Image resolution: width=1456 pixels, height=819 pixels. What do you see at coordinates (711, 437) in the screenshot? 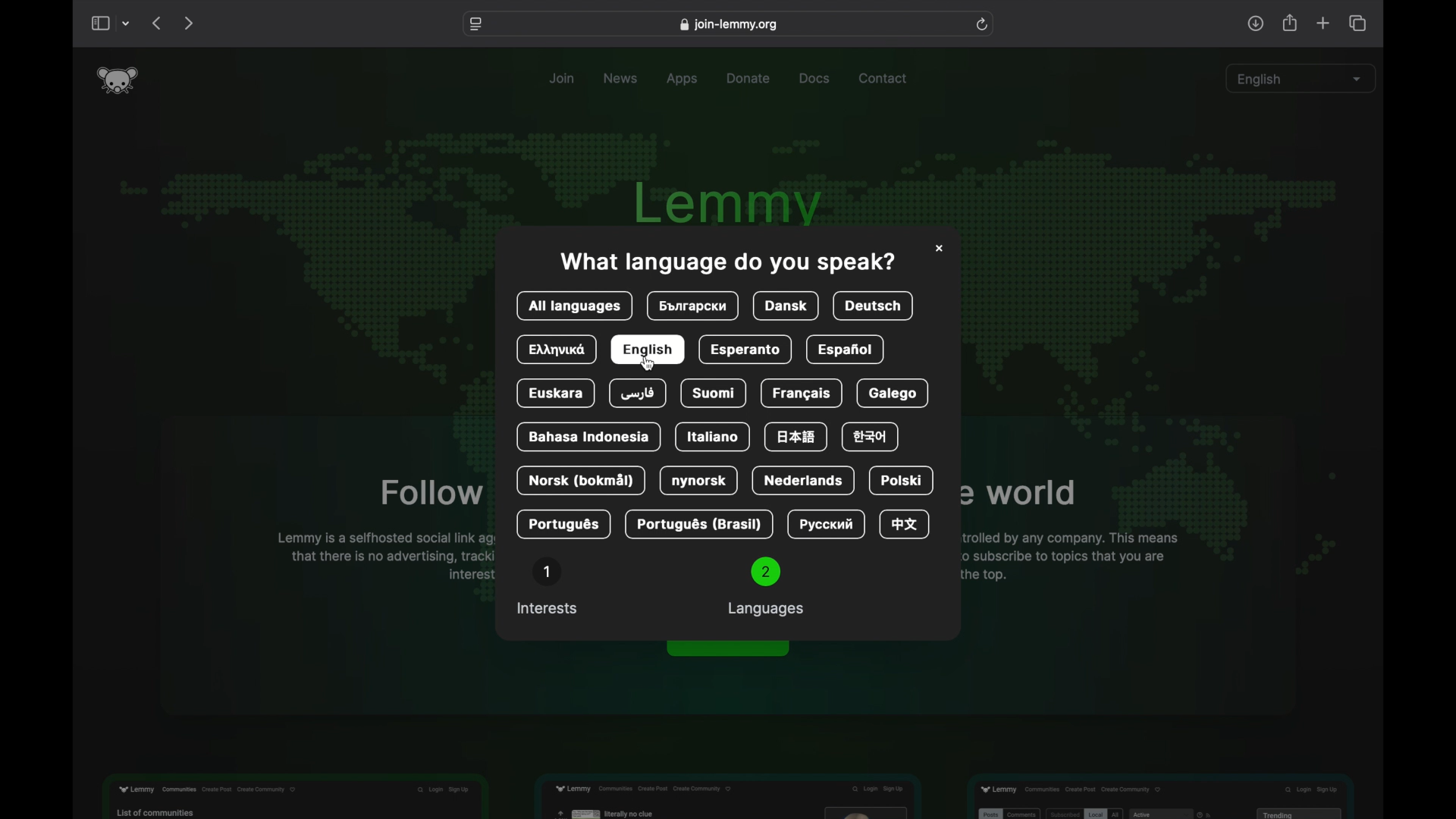
I see `italiano` at bounding box center [711, 437].